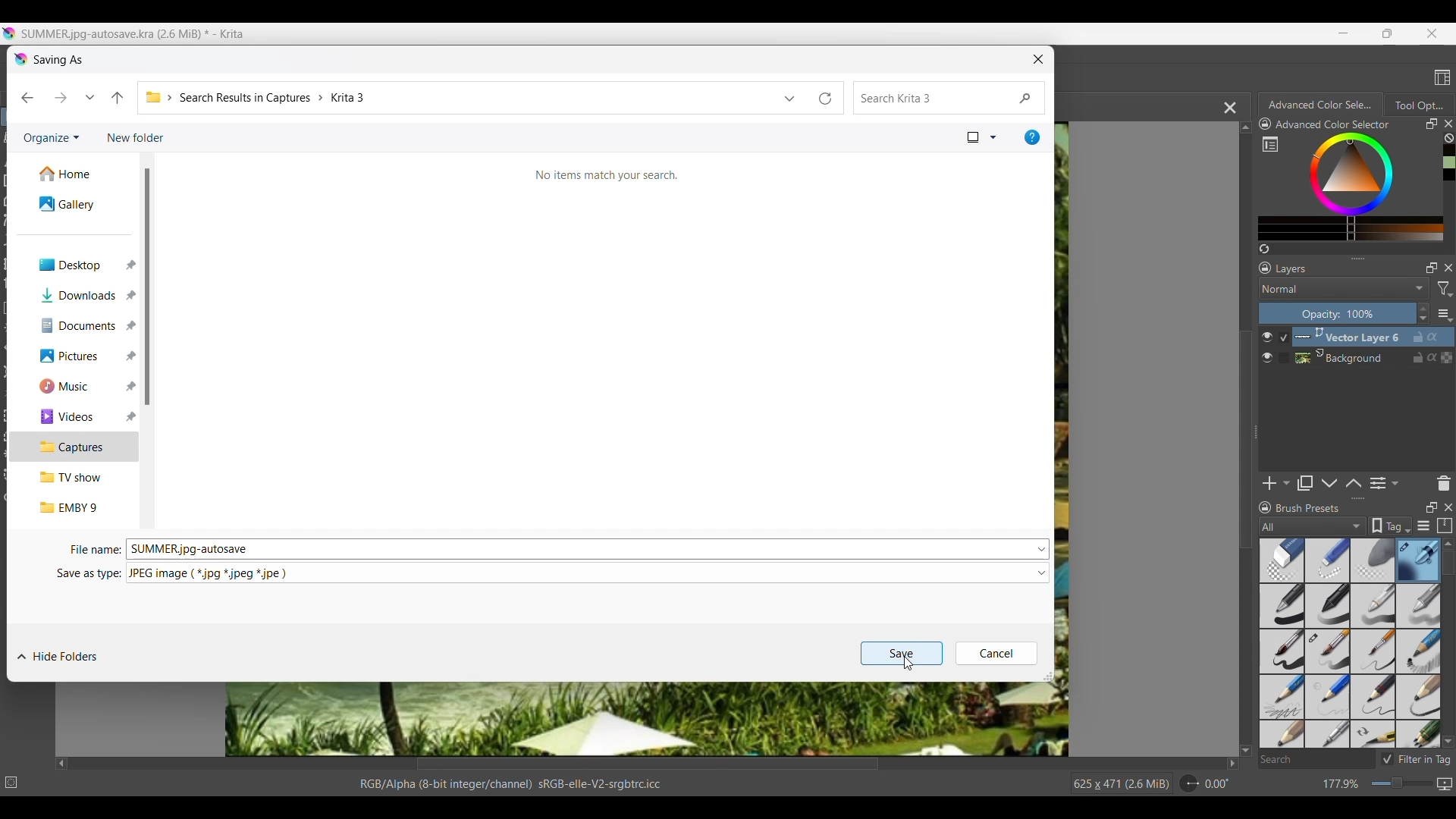  Describe the element at coordinates (1443, 484) in the screenshot. I see `Delete layer or mask` at that location.